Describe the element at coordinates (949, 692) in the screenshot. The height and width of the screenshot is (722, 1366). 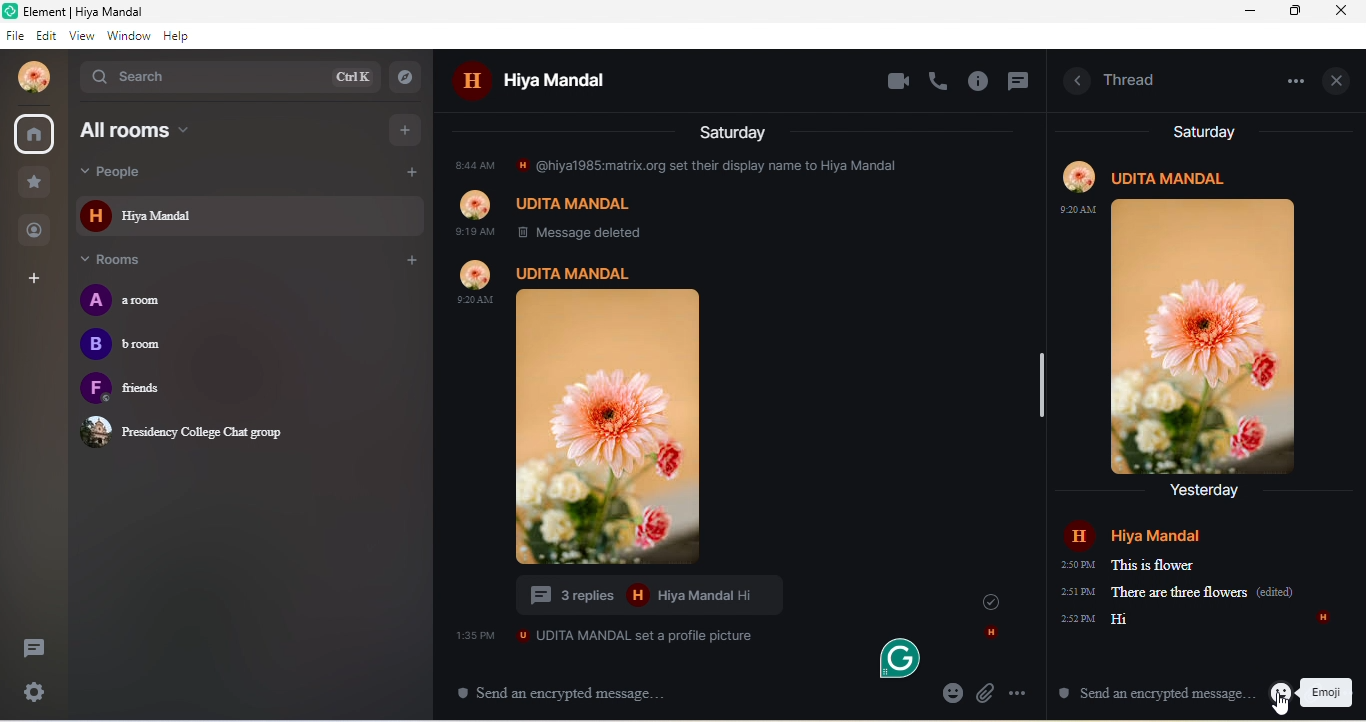
I see `emojis` at that location.